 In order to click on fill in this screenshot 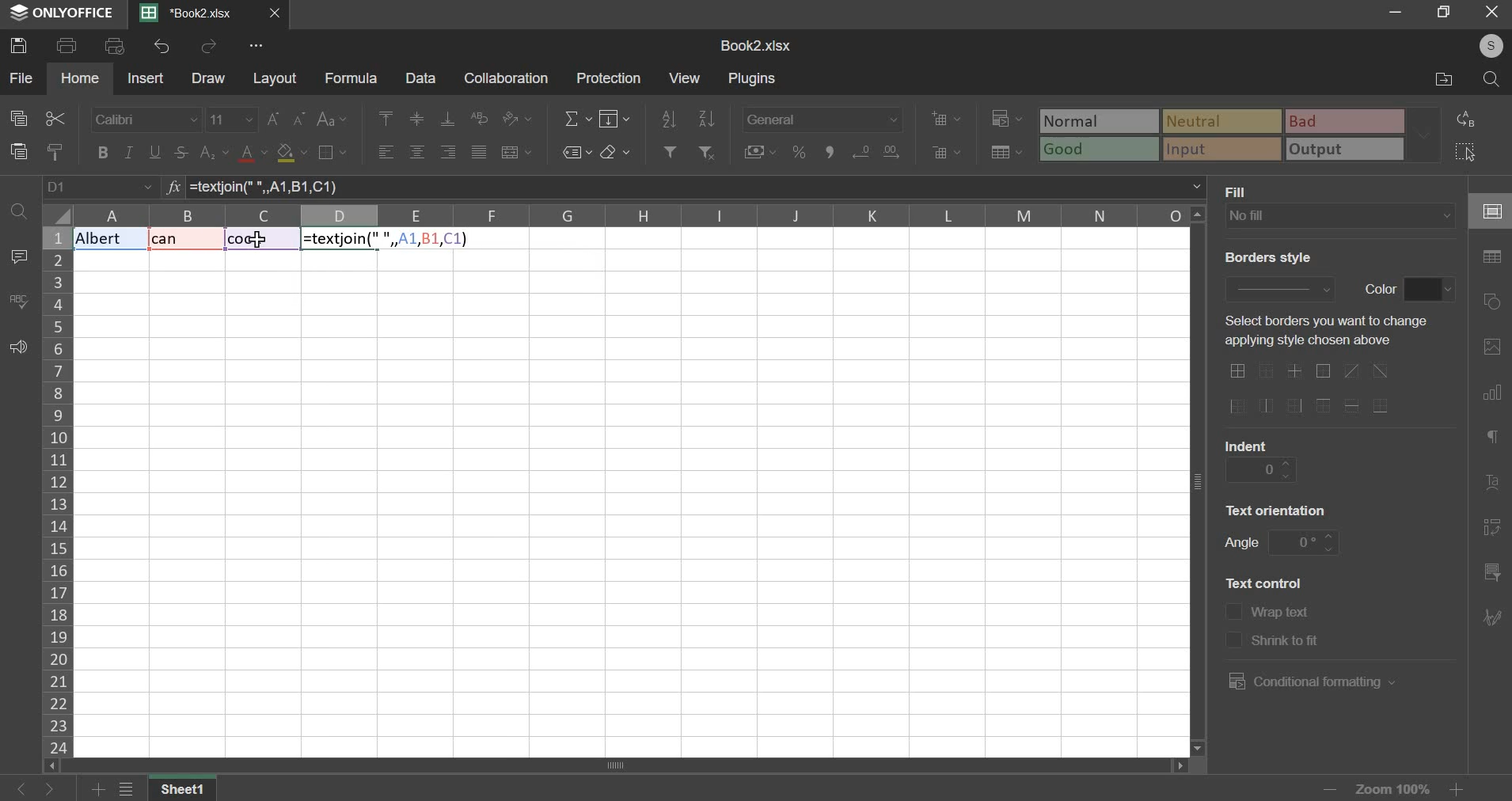, I will do `click(616, 118)`.